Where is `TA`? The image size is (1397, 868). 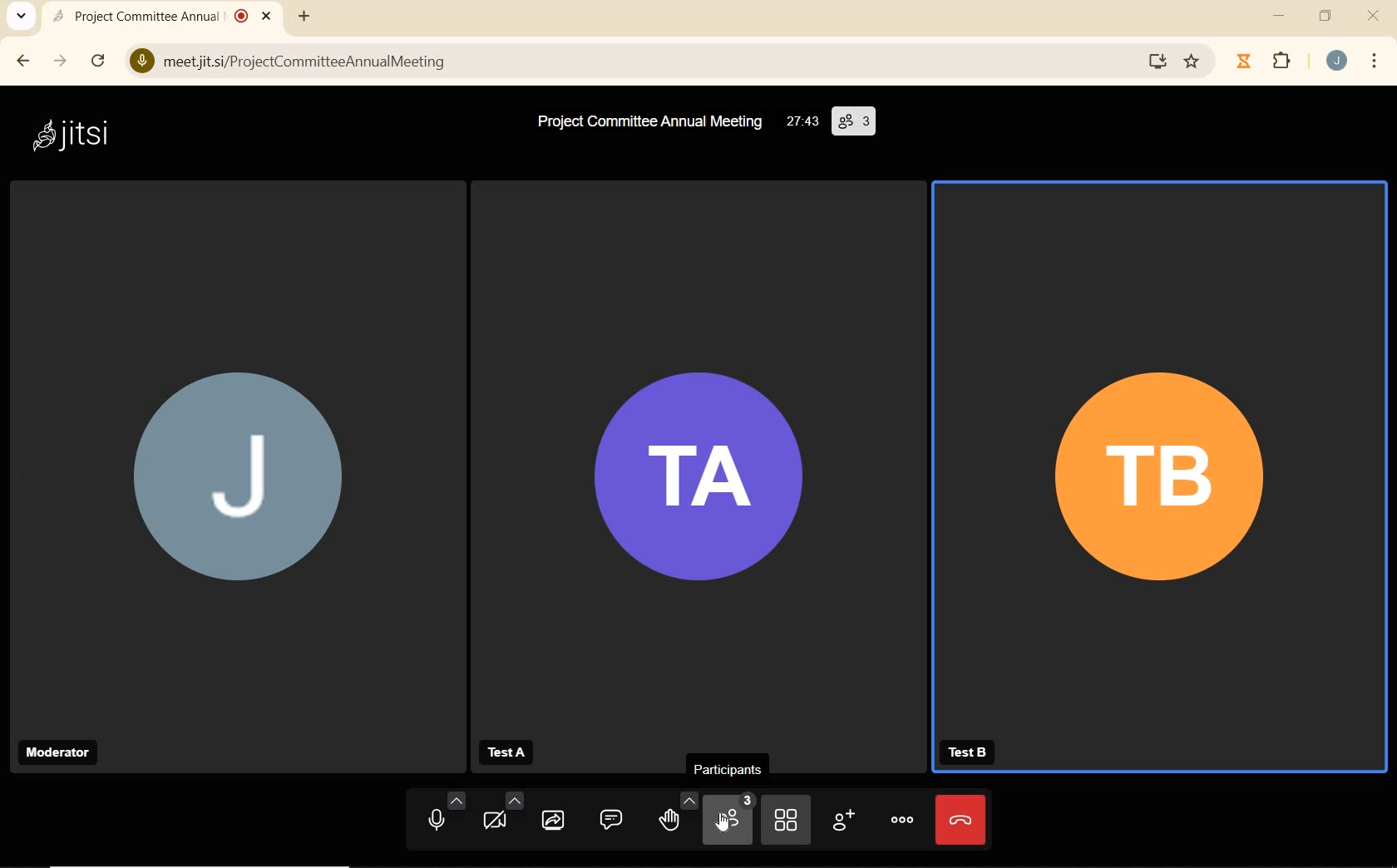 TA is located at coordinates (696, 451).